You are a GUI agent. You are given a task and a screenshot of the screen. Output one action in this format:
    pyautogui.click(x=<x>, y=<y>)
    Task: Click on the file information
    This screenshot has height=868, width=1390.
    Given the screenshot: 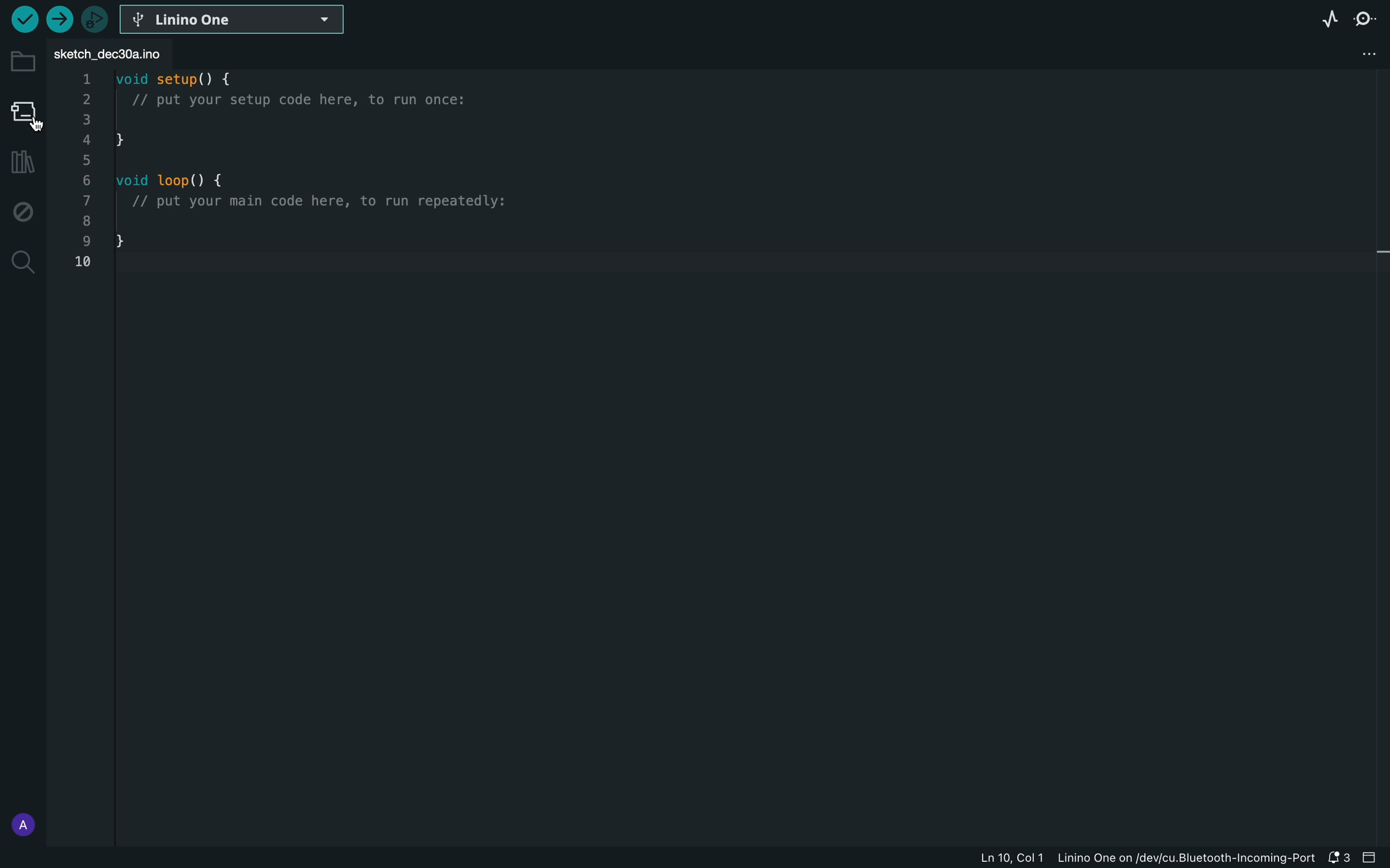 What is the action you would take?
    pyautogui.click(x=1122, y=859)
    